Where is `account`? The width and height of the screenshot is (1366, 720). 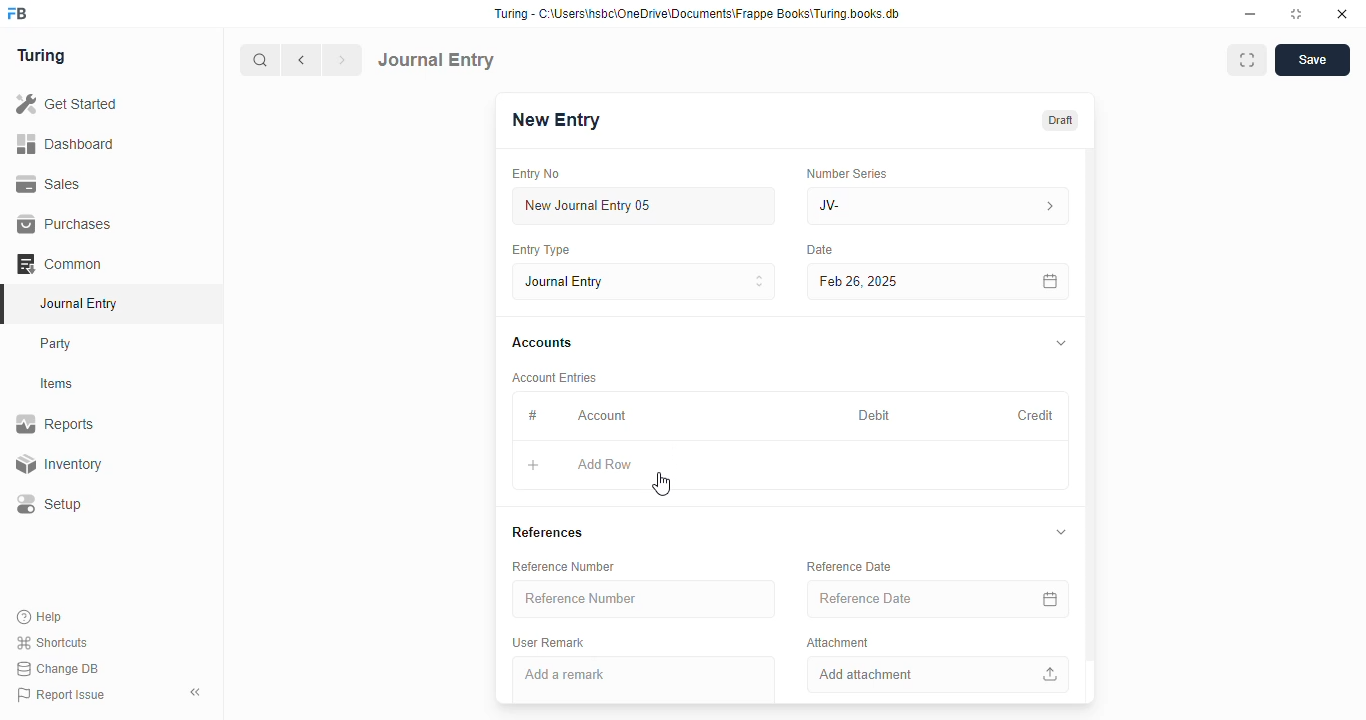 account is located at coordinates (602, 415).